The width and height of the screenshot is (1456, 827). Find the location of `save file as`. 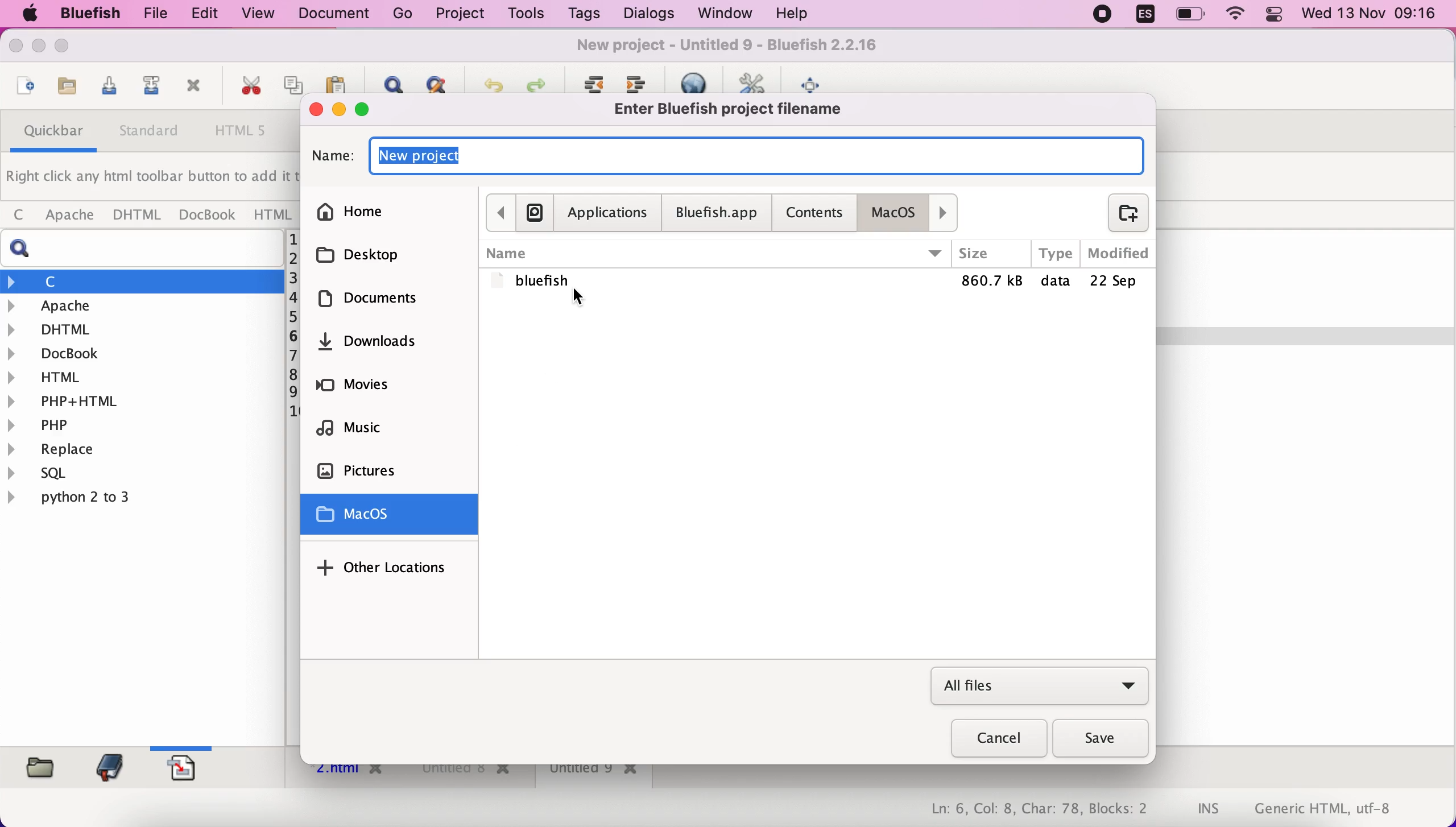

save file as is located at coordinates (148, 89).